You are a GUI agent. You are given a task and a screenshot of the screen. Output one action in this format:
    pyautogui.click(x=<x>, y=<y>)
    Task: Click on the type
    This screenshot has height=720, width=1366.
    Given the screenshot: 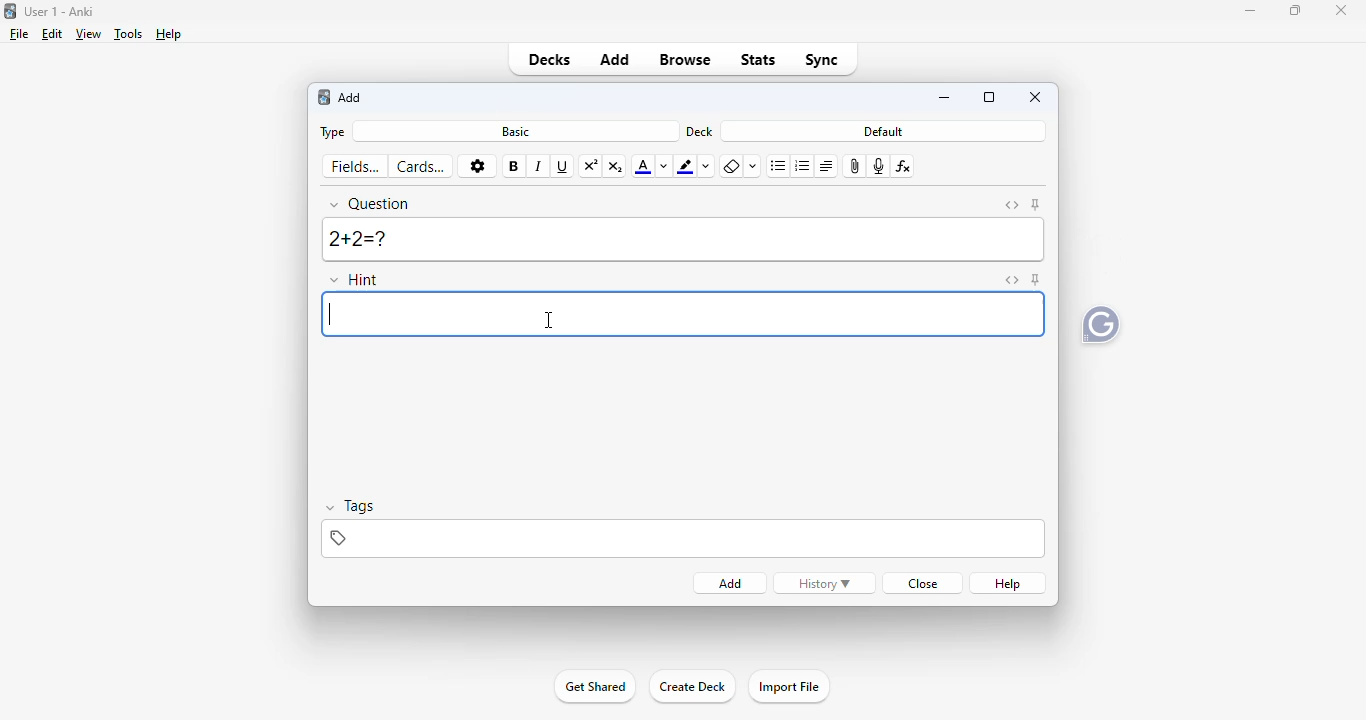 What is the action you would take?
    pyautogui.click(x=334, y=133)
    